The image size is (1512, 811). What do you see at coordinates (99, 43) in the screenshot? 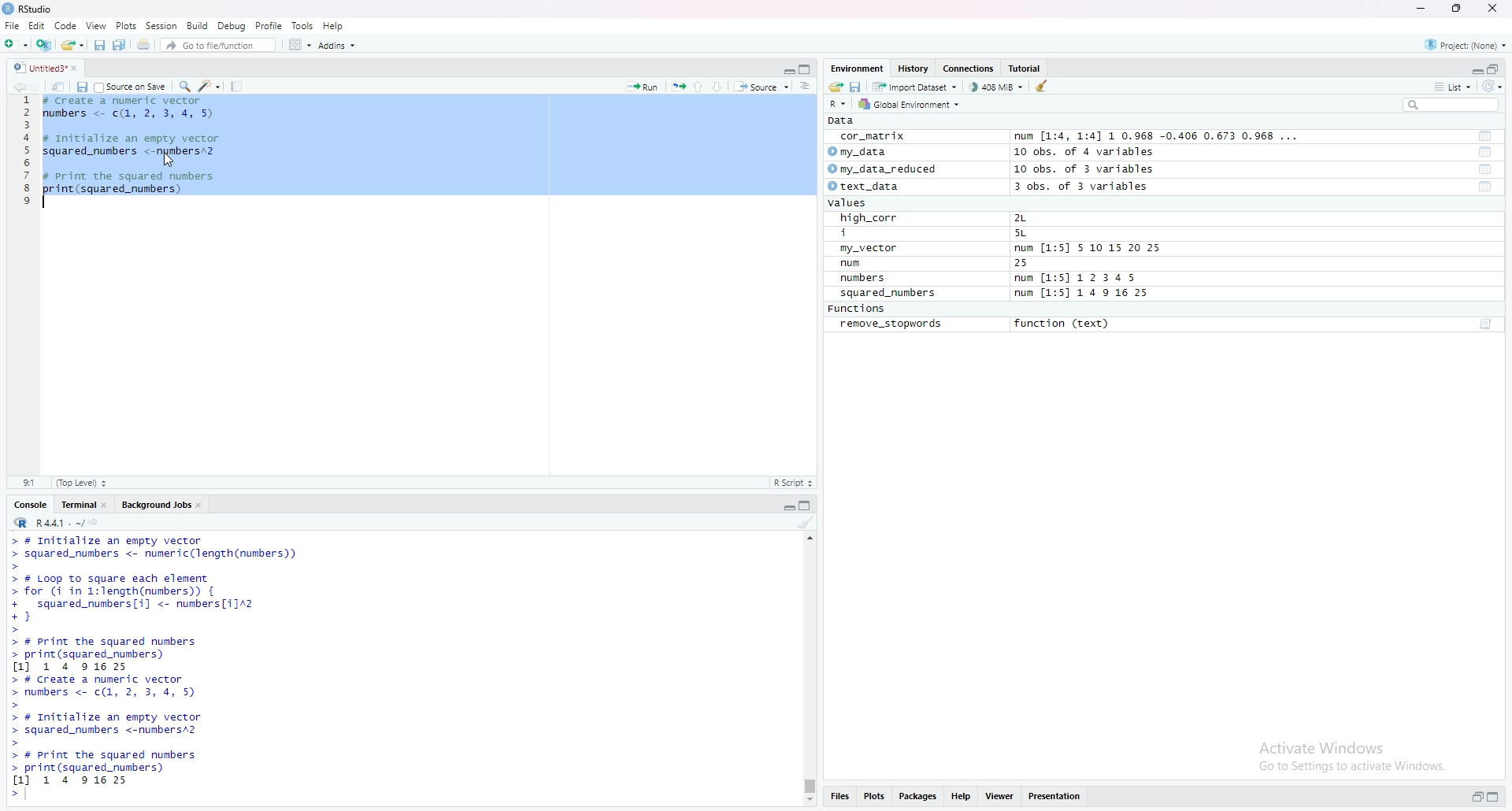
I see `Save current document` at bounding box center [99, 43].